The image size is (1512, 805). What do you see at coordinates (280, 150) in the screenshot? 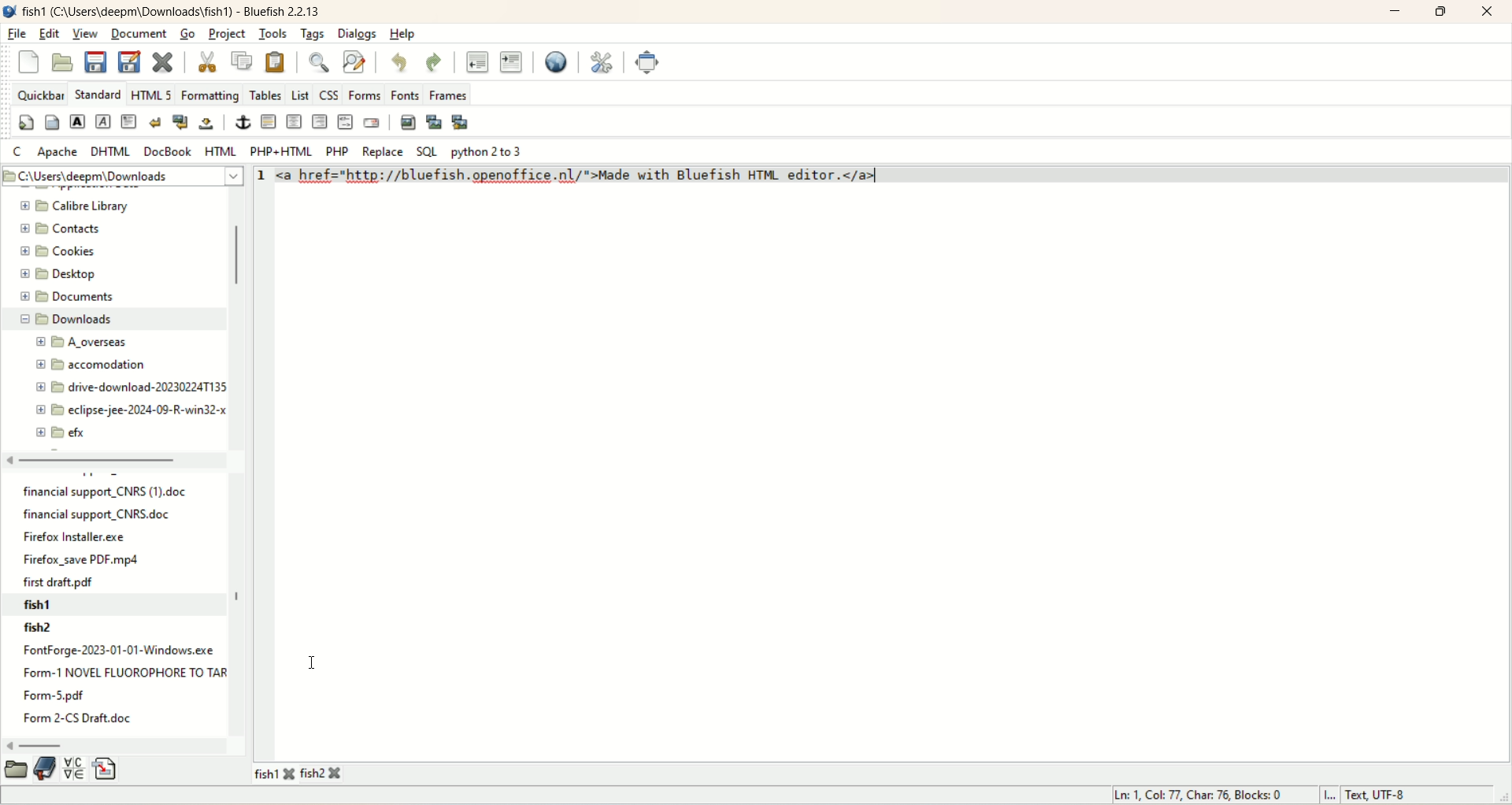
I see `PHP+HTML` at bounding box center [280, 150].